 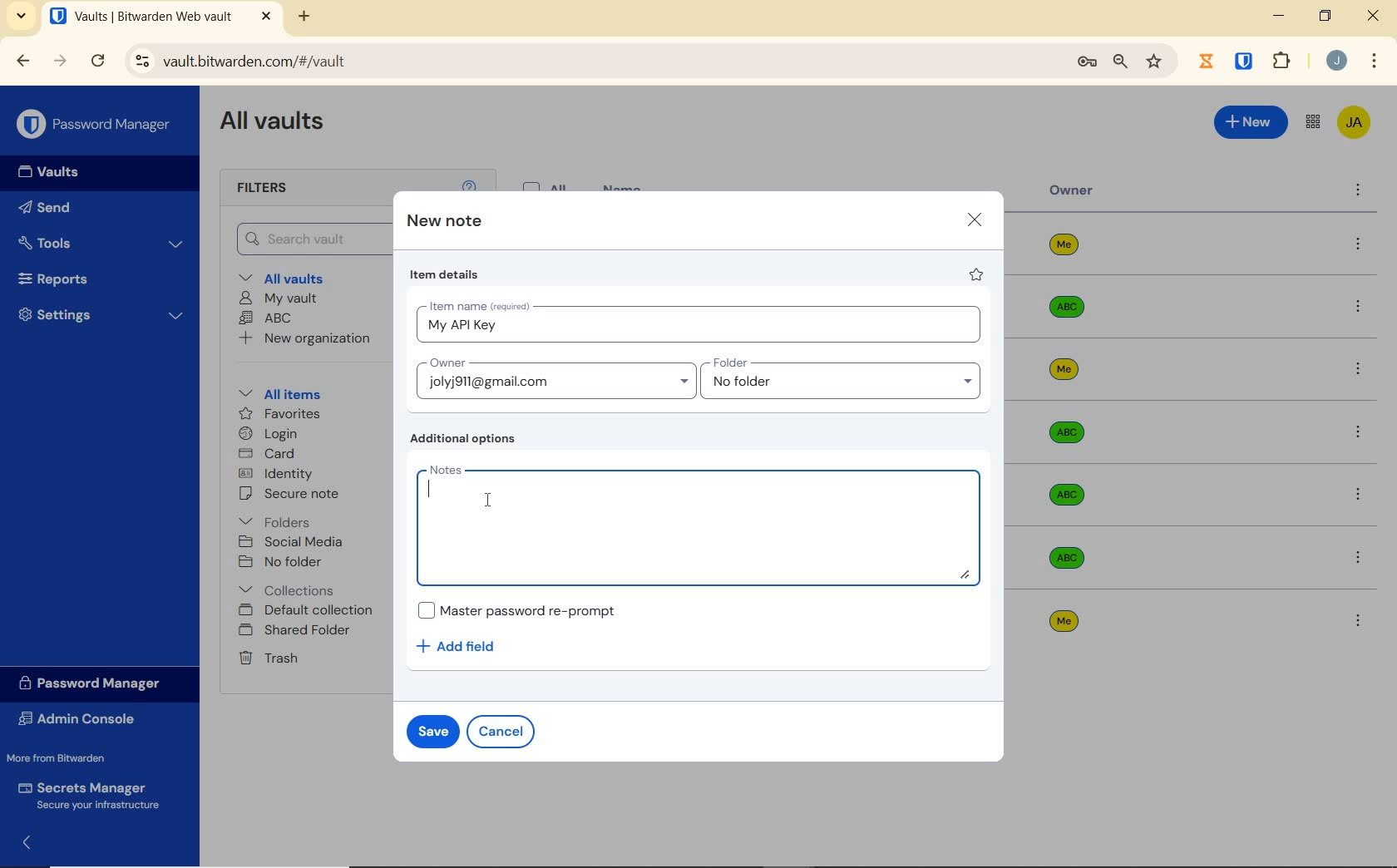 What do you see at coordinates (269, 319) in the screenshot?
I see `ABC` at bounding box center [269, 319].